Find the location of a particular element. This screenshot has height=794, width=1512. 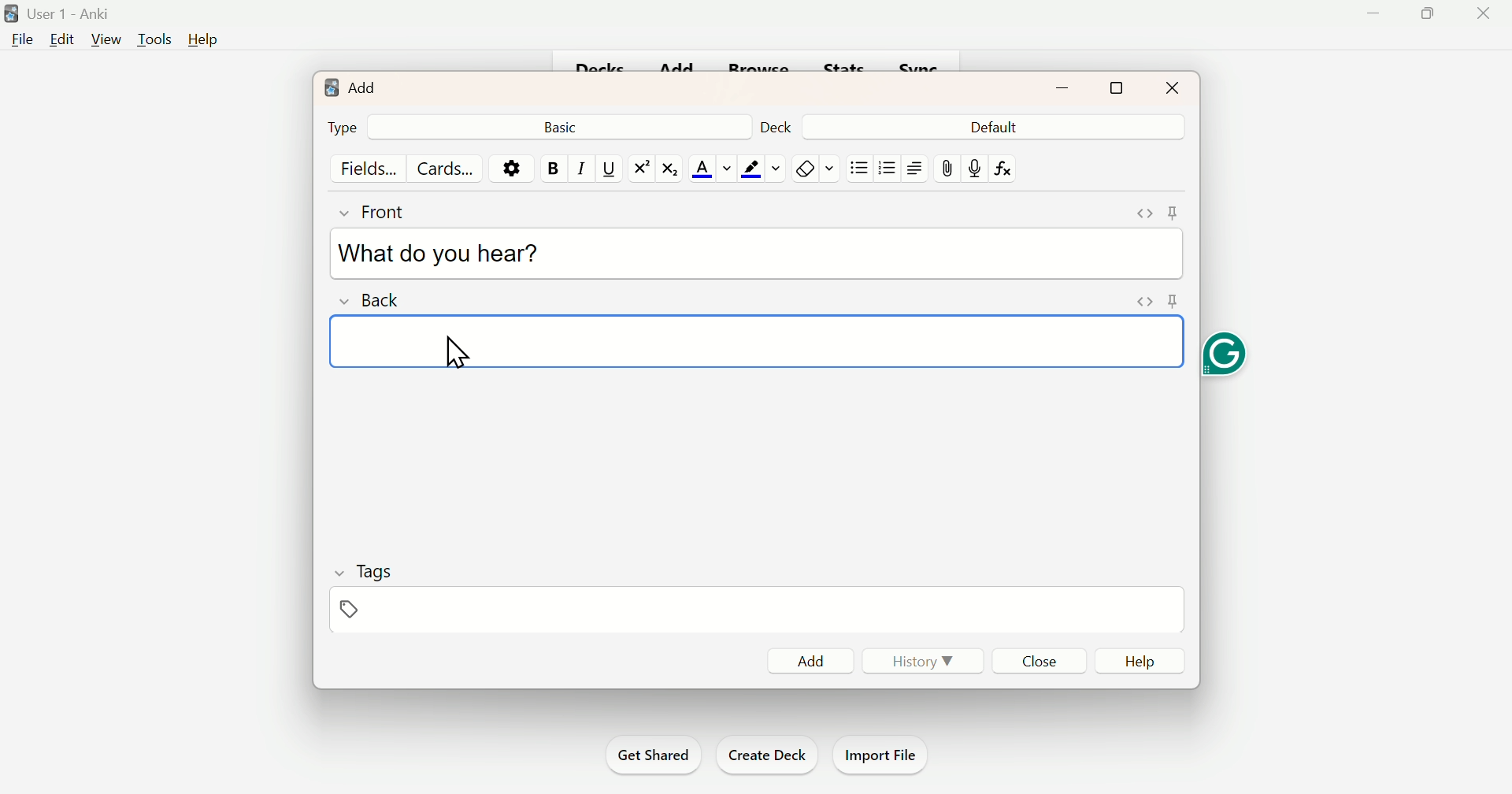

Close is located at coordinates (1484, 13).